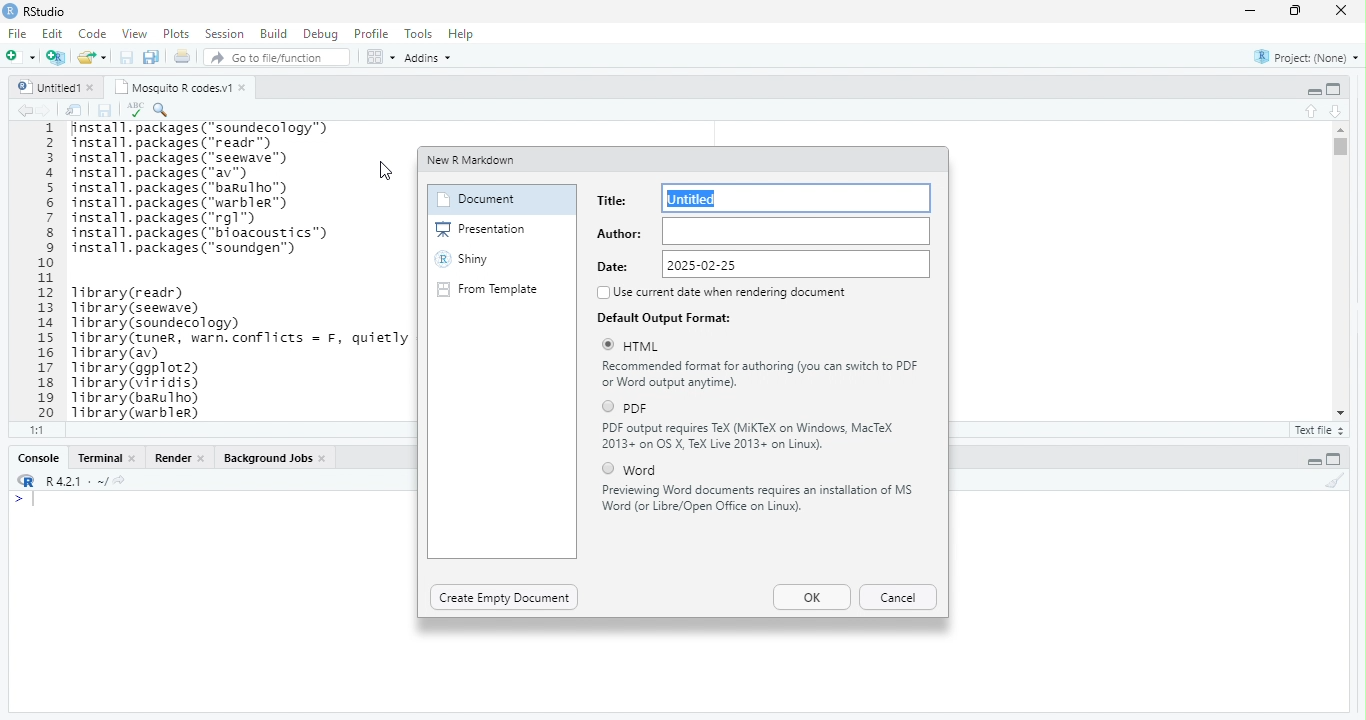 Image resolution: width=1366 pixels, height=720 pixels. I want to click on scrollbar, so click(1342, 270).